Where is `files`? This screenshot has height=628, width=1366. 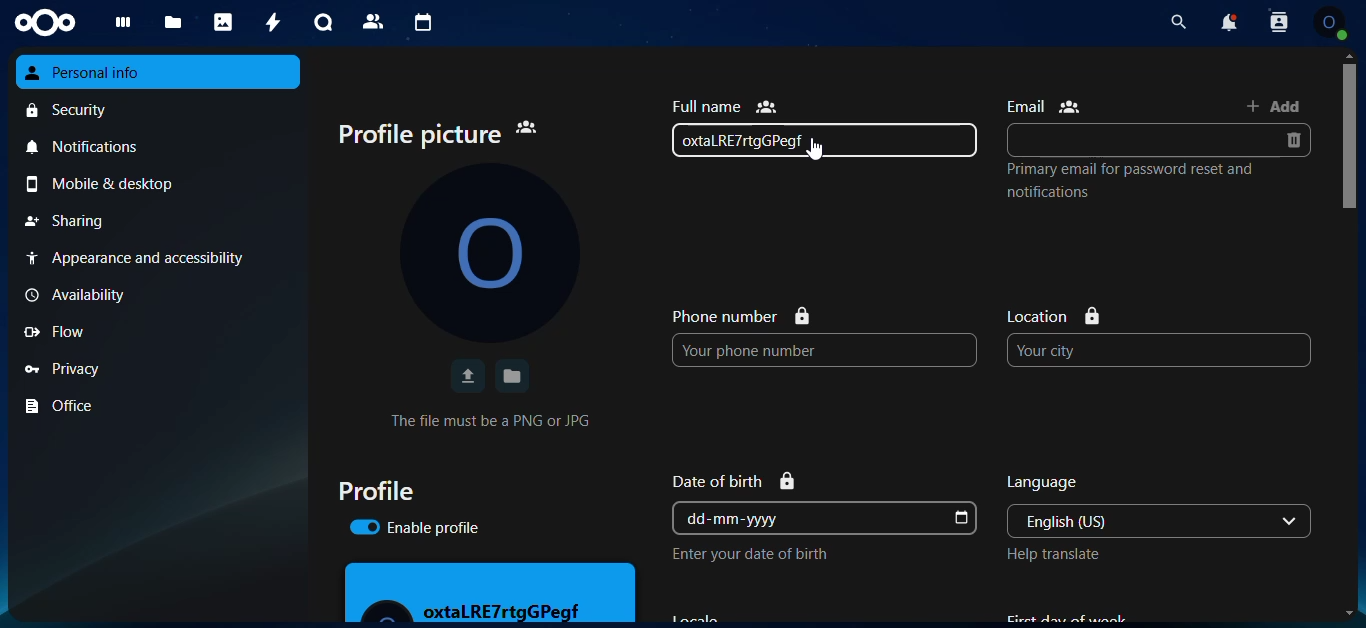 files is located at coordinates (169, 24).